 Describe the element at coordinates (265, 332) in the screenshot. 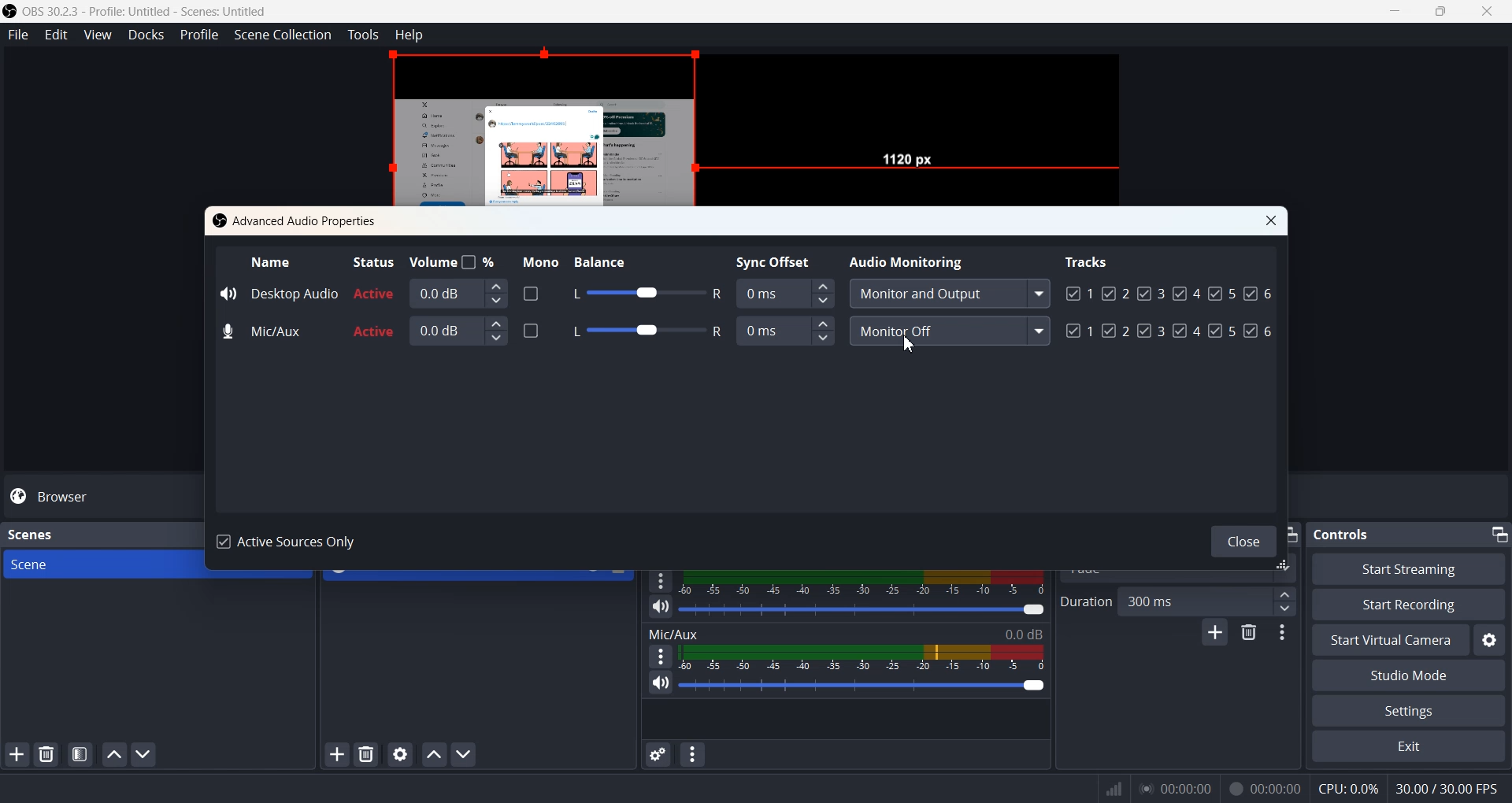

I see `Mic/Aux` at that location.